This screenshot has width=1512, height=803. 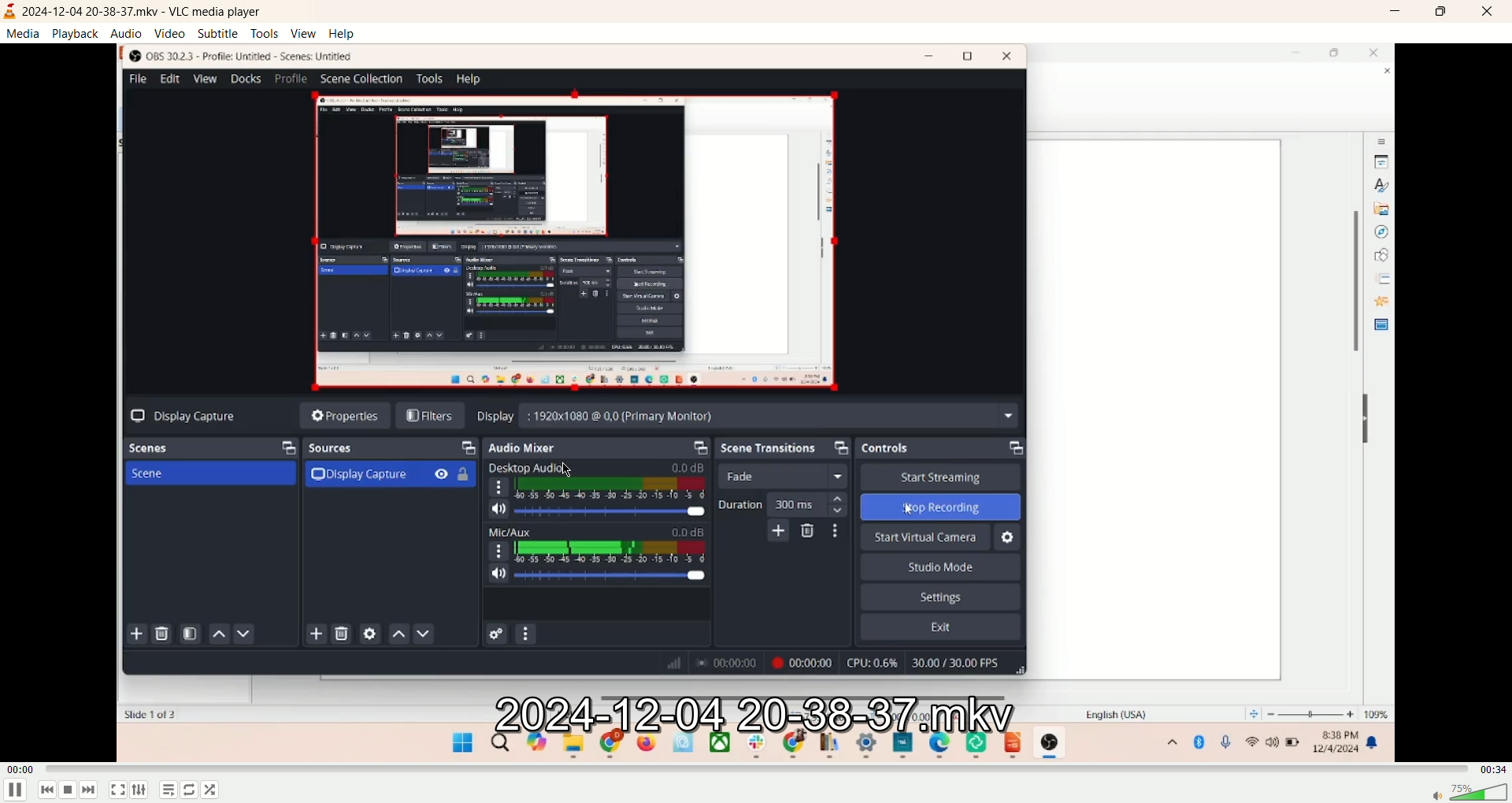 What do you see at coordinates (1494, 769) in the screenshot?
I see `time left` at bounding box center [1494, 769].